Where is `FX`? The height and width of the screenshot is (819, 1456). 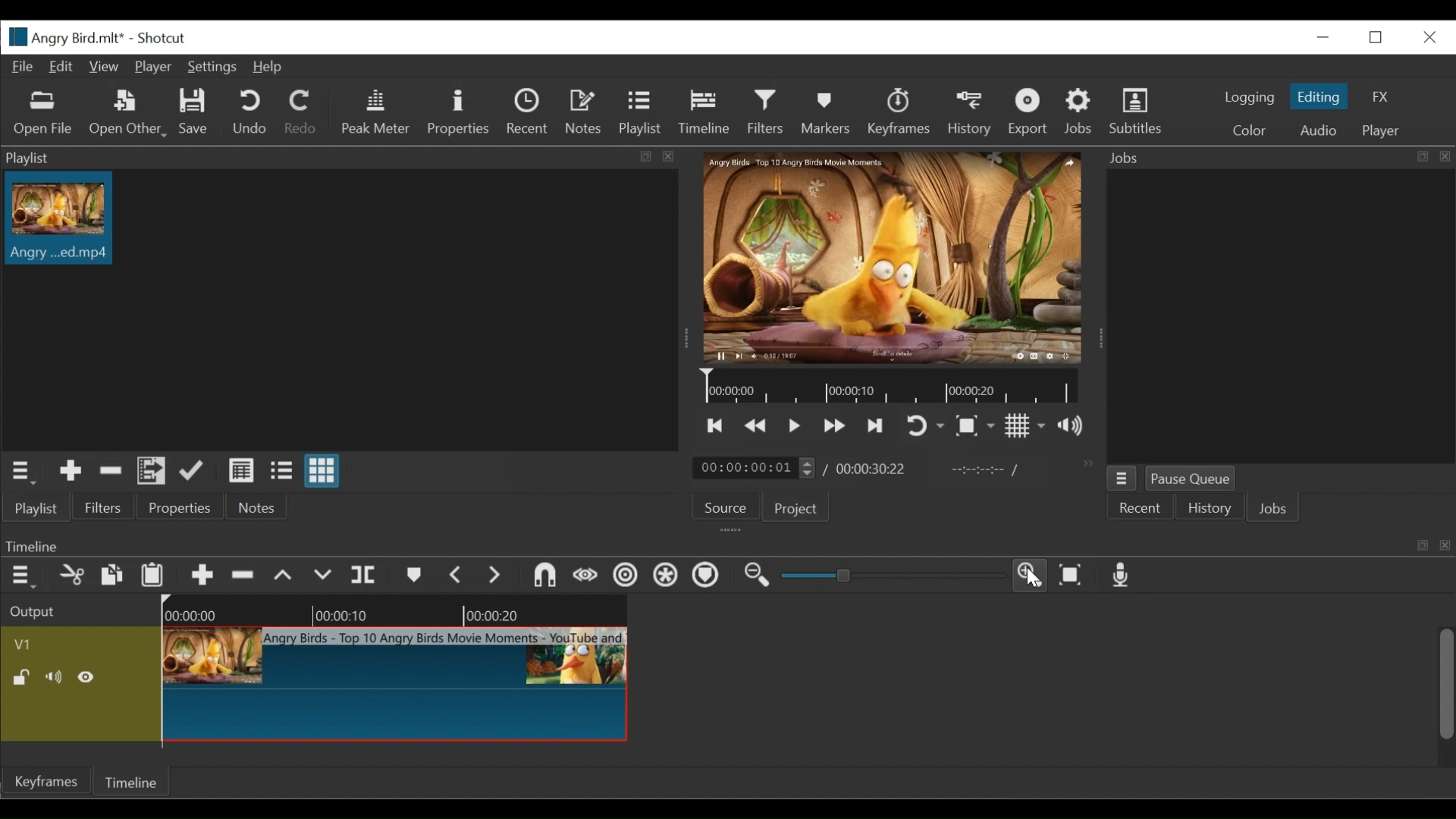 FX is located at coordinates (1385, 99).